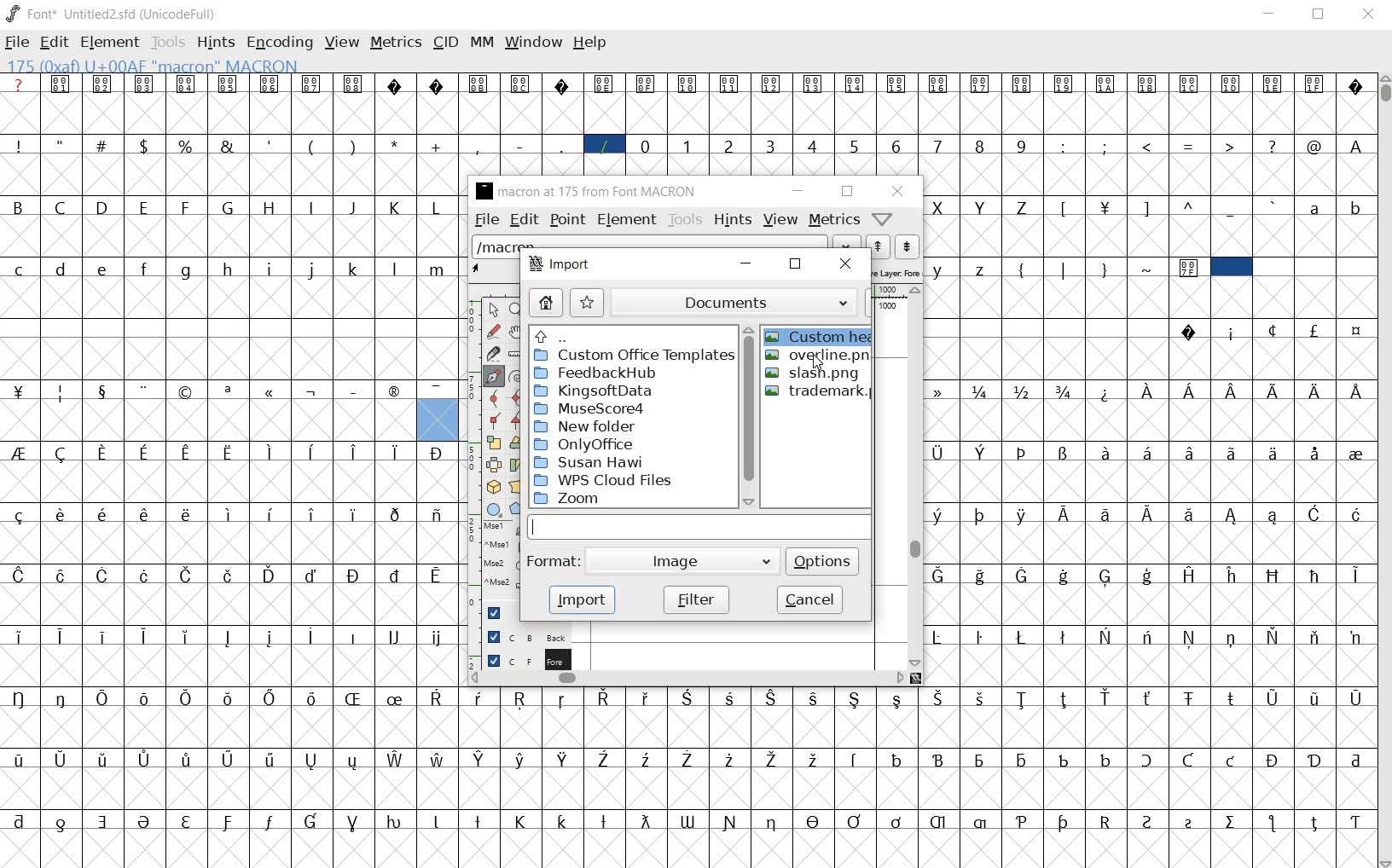 This screenshot has width=1392, height=868. I want to click on Symbol, so click(1231, 513).